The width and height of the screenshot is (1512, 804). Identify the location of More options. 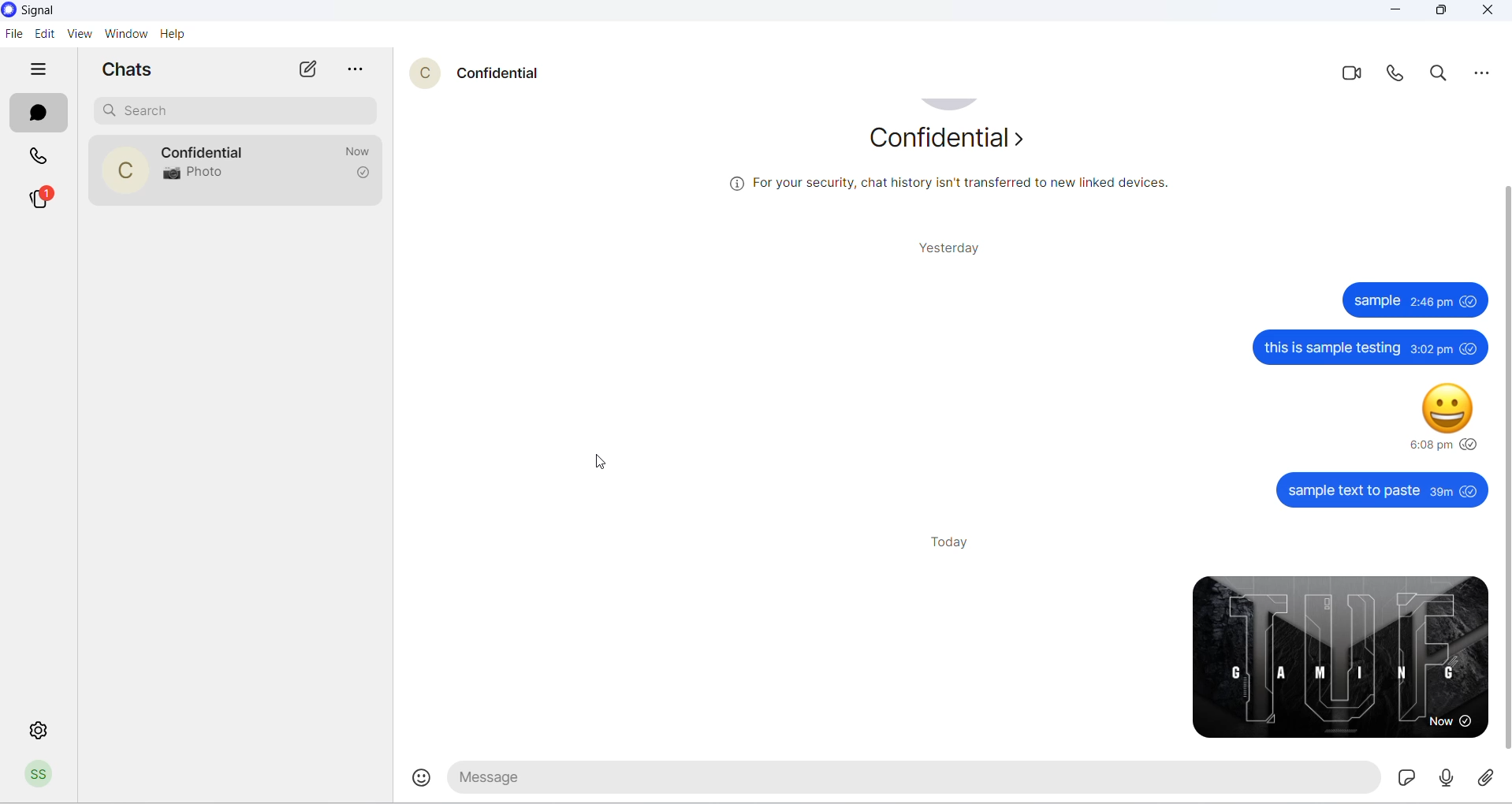
(1485, 75).